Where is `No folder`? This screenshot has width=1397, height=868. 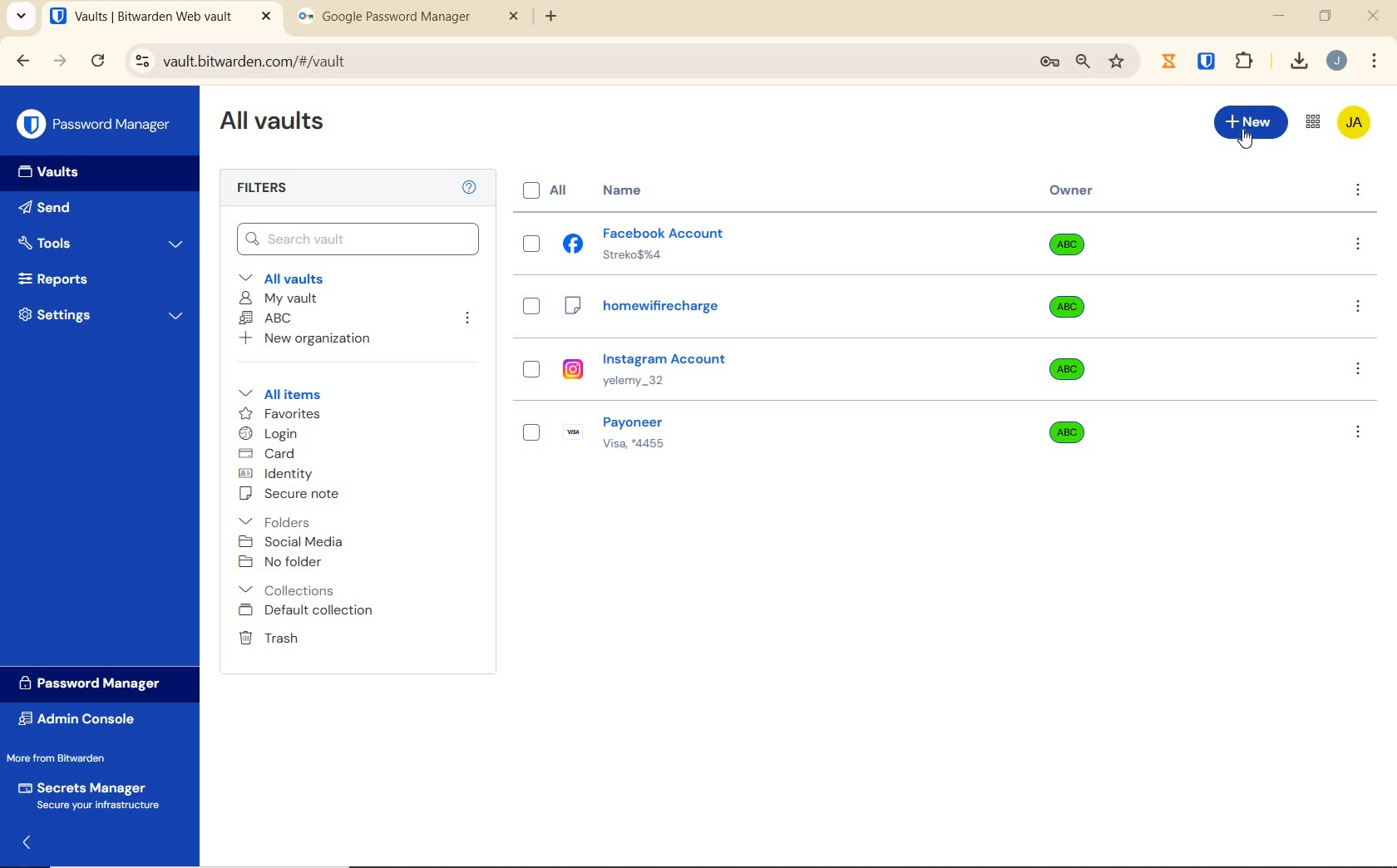 No folder is located at coordinates (283, 563).